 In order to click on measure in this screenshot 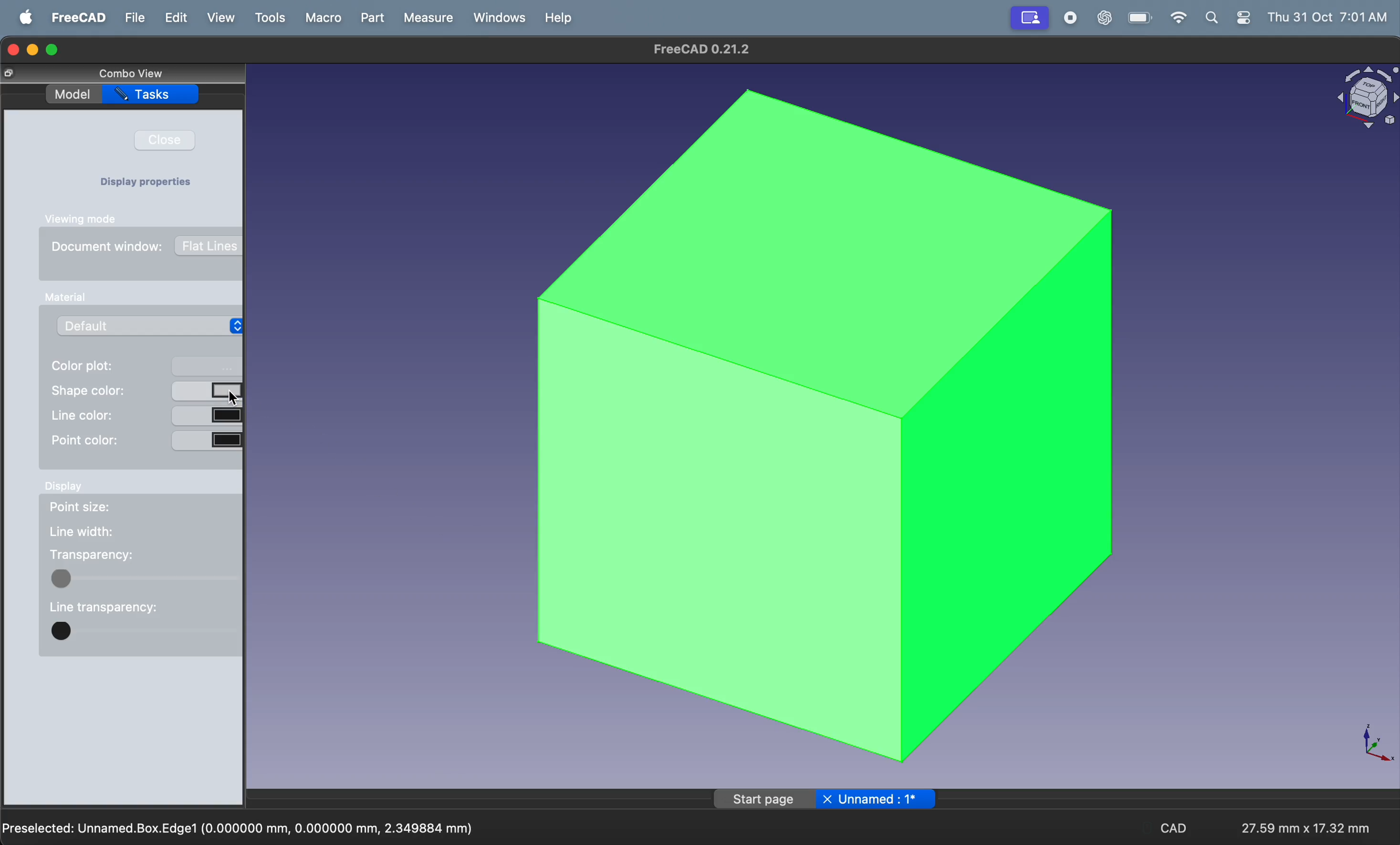, I will do `click(427, 19)`.